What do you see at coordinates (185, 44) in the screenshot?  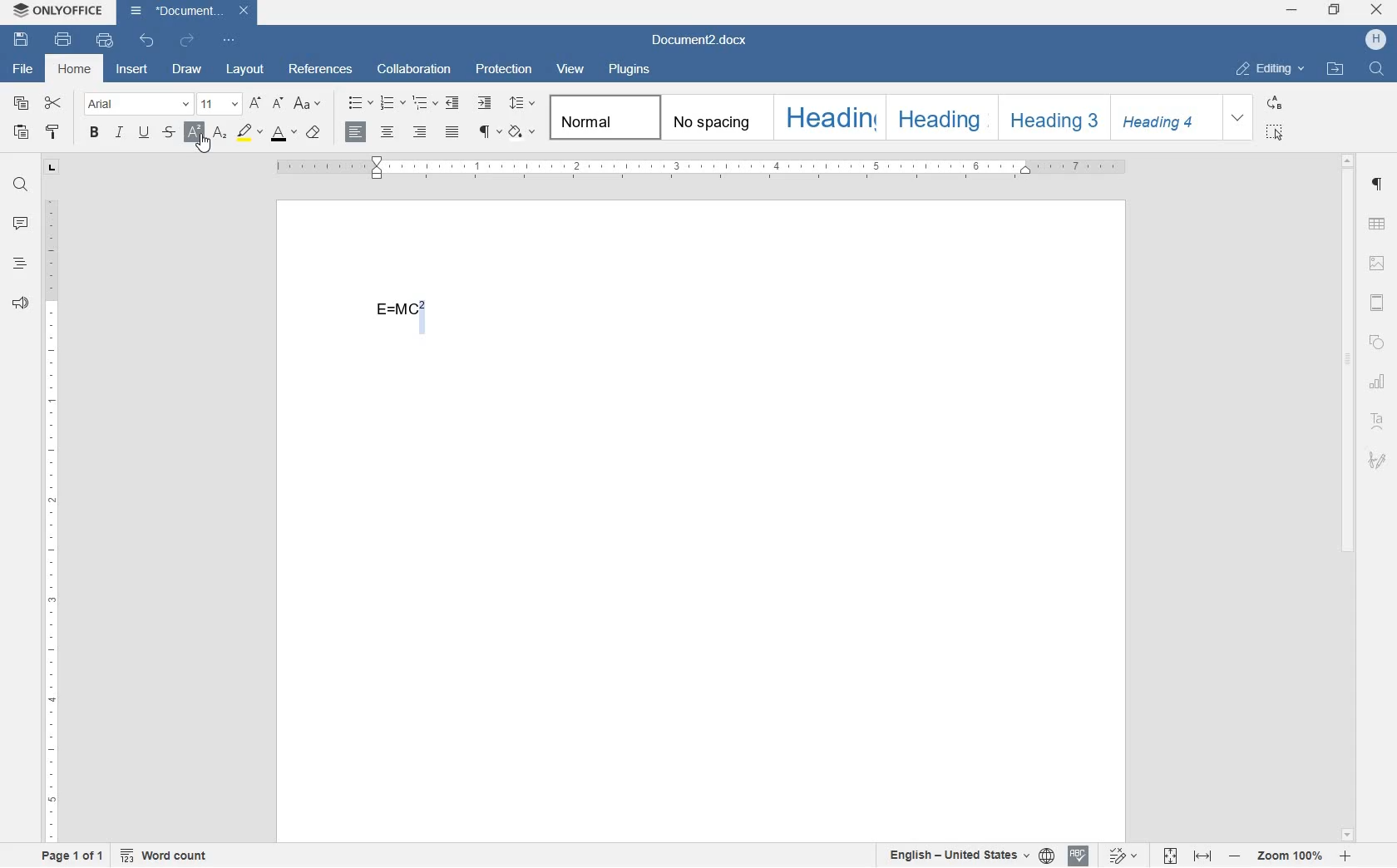 I see `redo` at bounding box center [185, 44].